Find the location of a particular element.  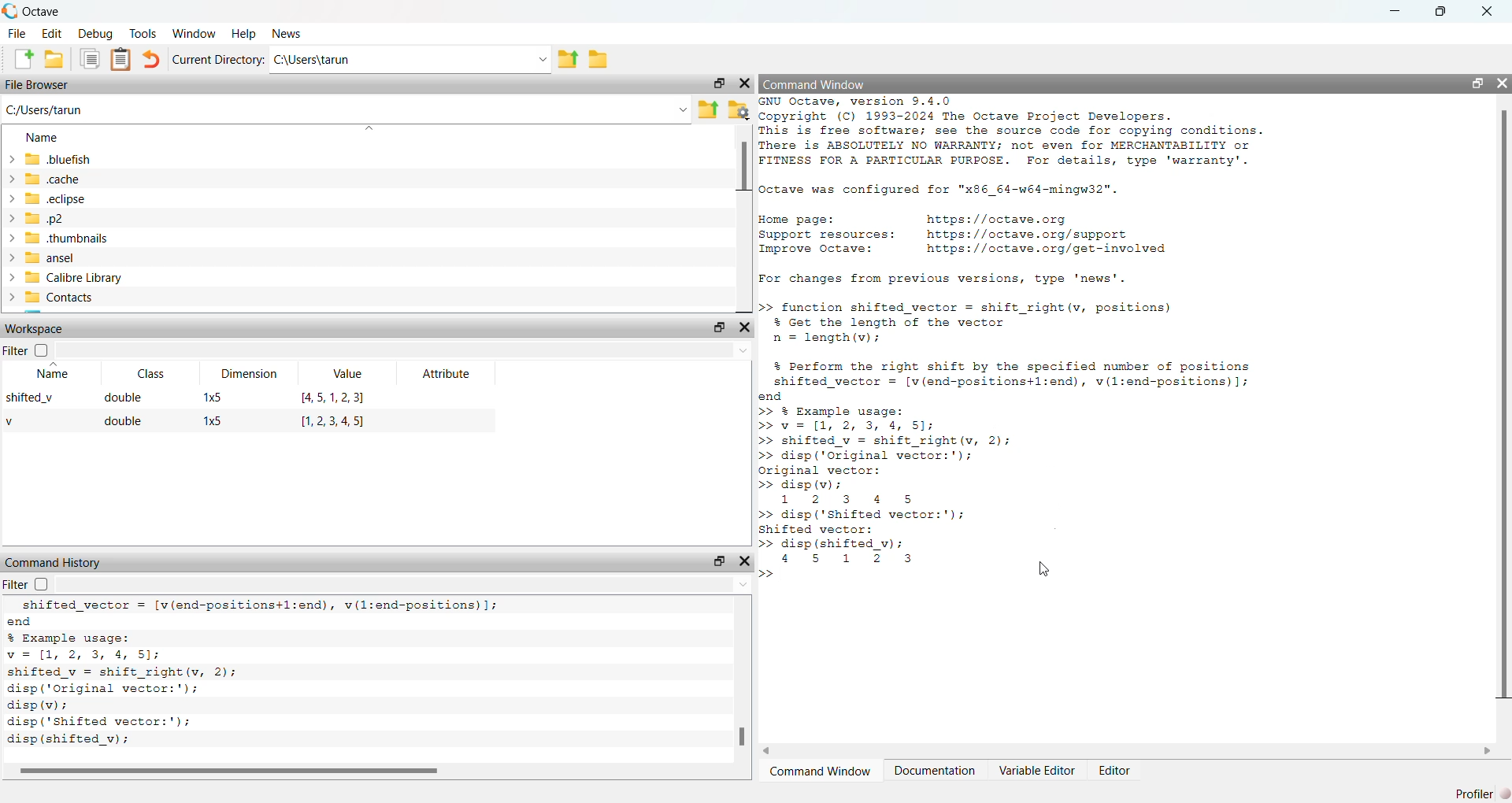

profiler is located at coordinates (1477, 792).